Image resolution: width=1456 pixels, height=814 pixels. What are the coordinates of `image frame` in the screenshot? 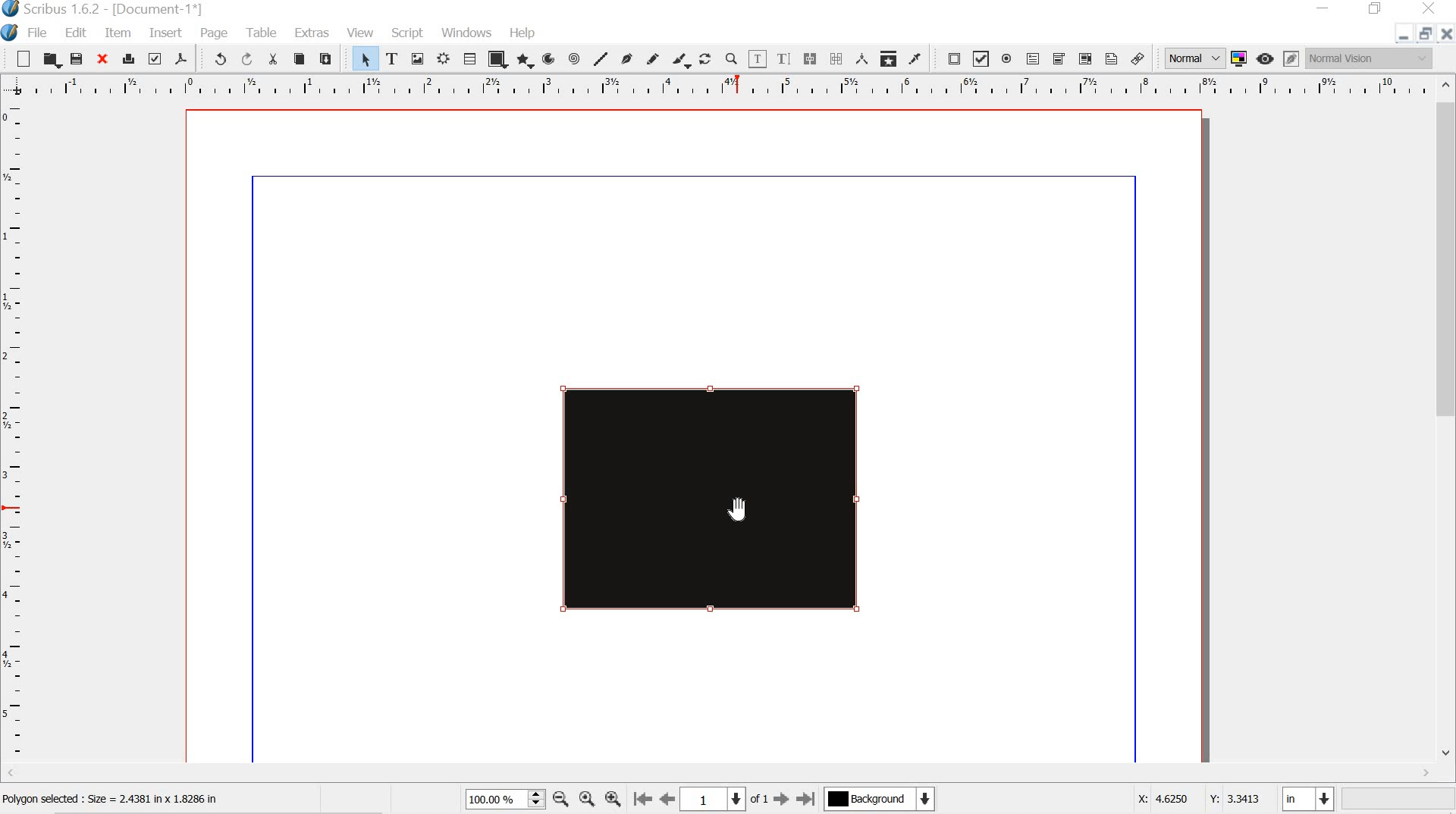 It's located at (418, 59).